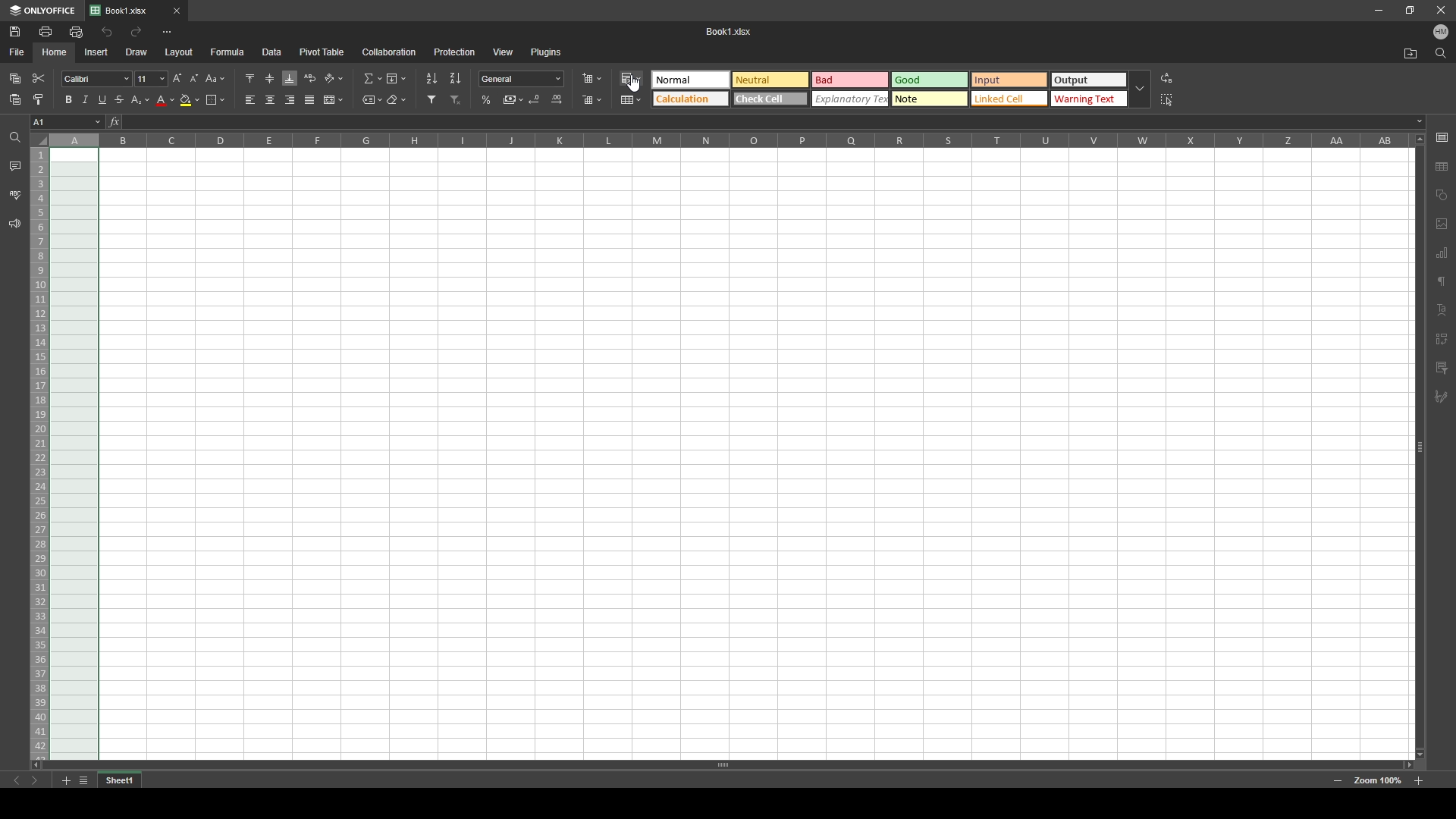 This screenshot has height=819, width=1456. What do you see at coordinates (457, 99) in the screenshot?
I see `remove filter` at bounding box center [457, 99].